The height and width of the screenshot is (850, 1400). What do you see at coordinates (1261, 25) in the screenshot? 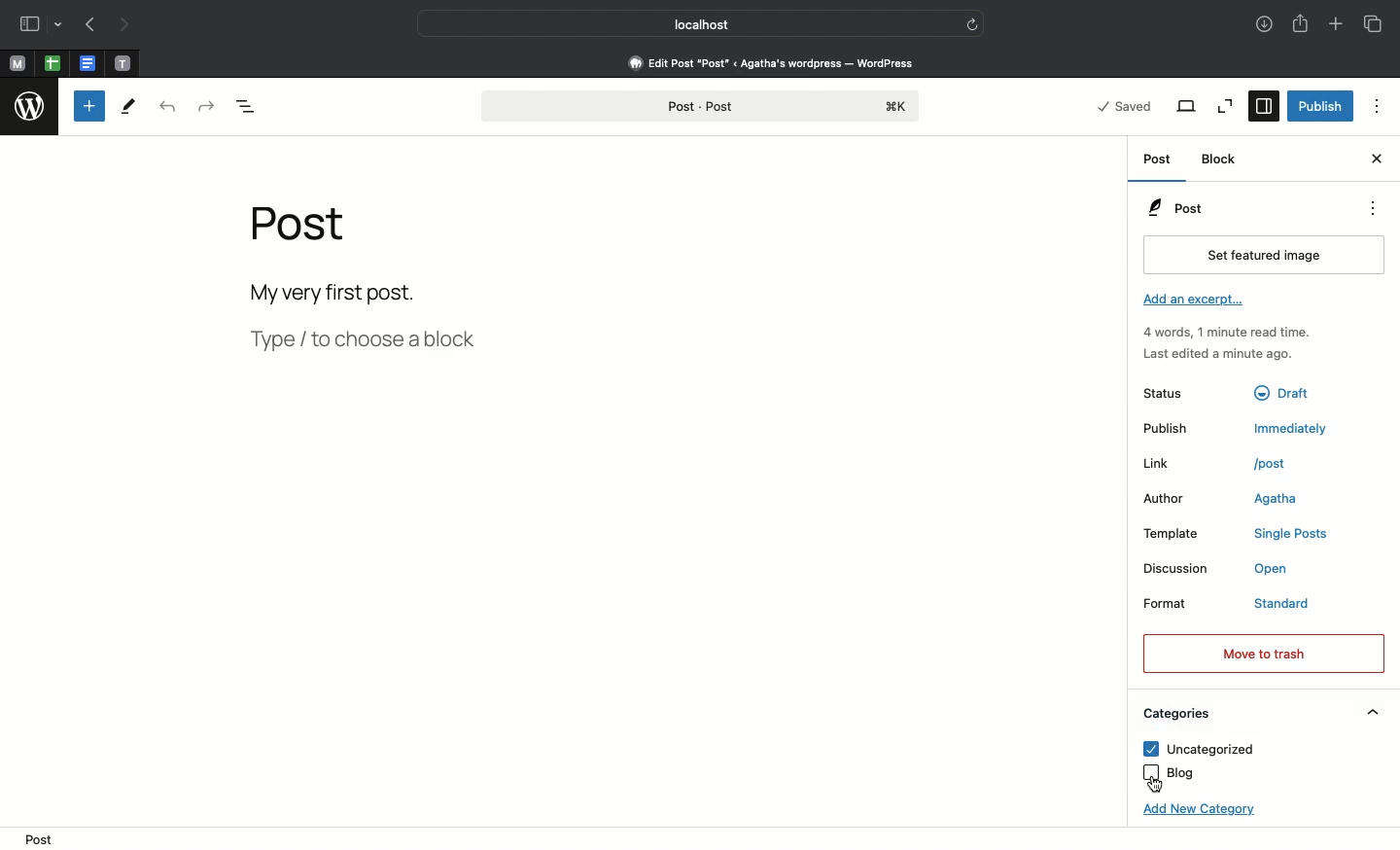
I see `Downloads` at bounding box center [1261, 25].